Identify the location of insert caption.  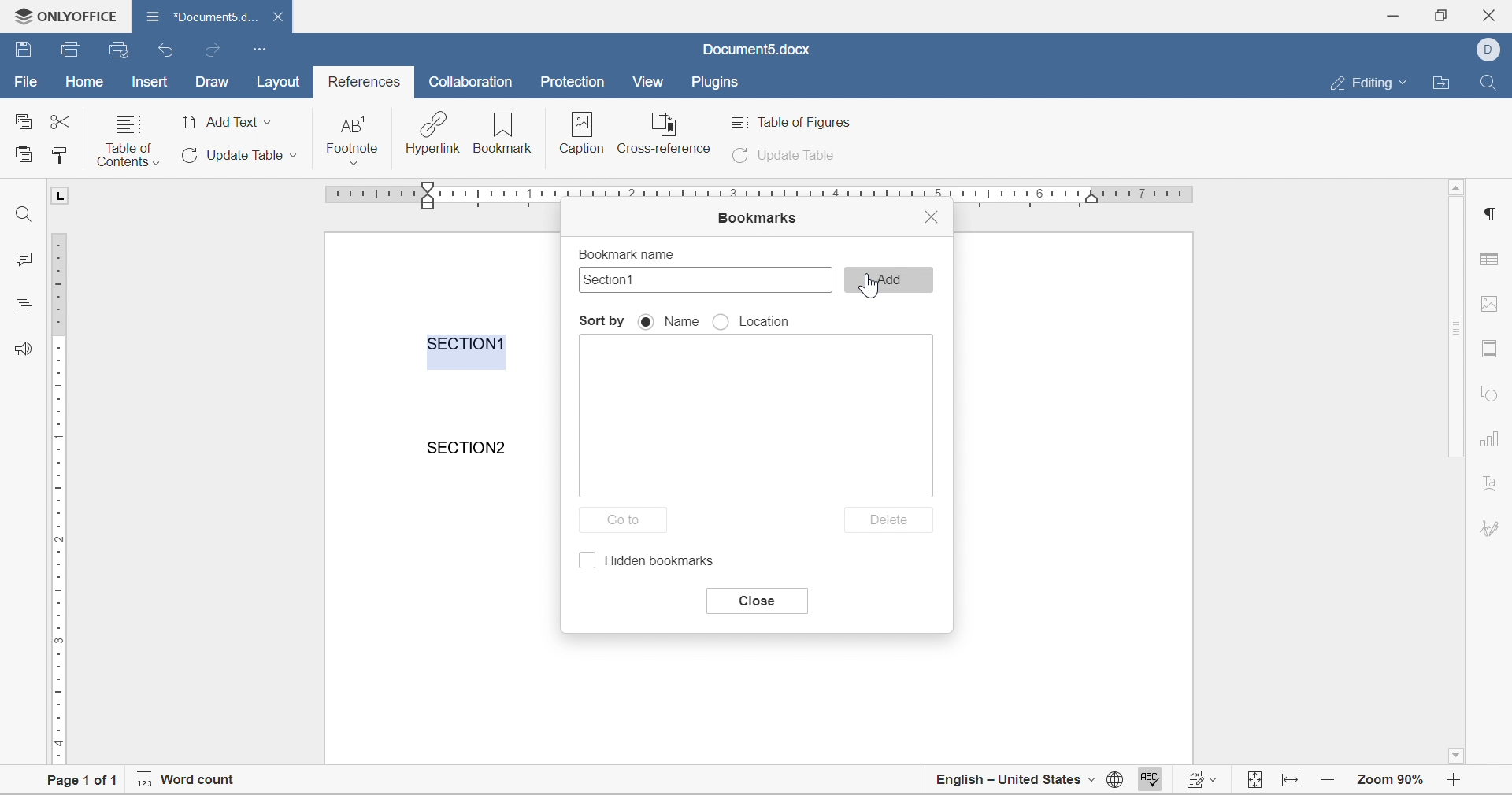
(580, 134).